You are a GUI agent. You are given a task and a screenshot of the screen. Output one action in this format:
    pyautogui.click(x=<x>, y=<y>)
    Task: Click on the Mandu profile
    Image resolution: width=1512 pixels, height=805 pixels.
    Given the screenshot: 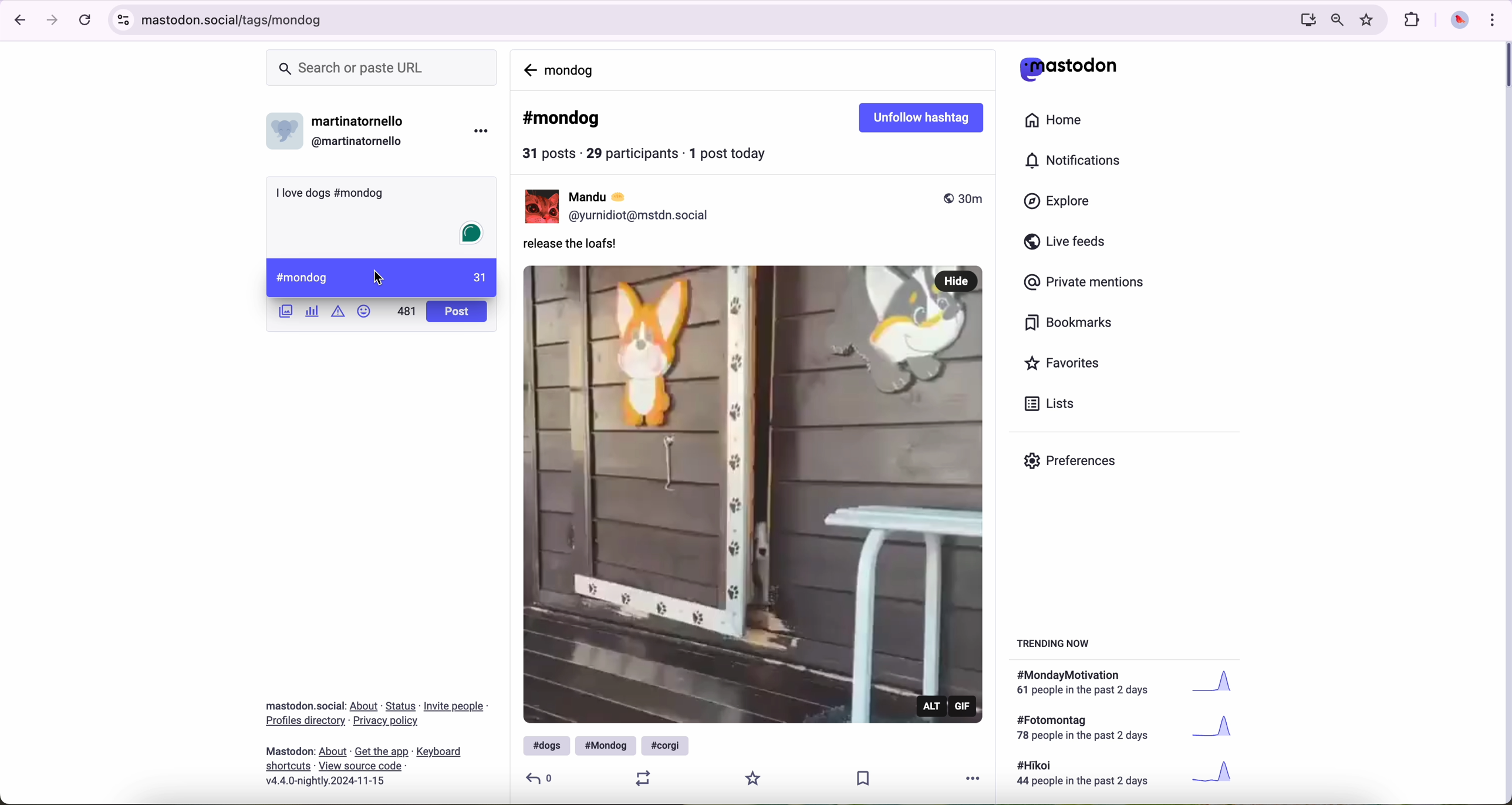 What is the action you would take?
    pyautogui.click(x=539, y=207)
    